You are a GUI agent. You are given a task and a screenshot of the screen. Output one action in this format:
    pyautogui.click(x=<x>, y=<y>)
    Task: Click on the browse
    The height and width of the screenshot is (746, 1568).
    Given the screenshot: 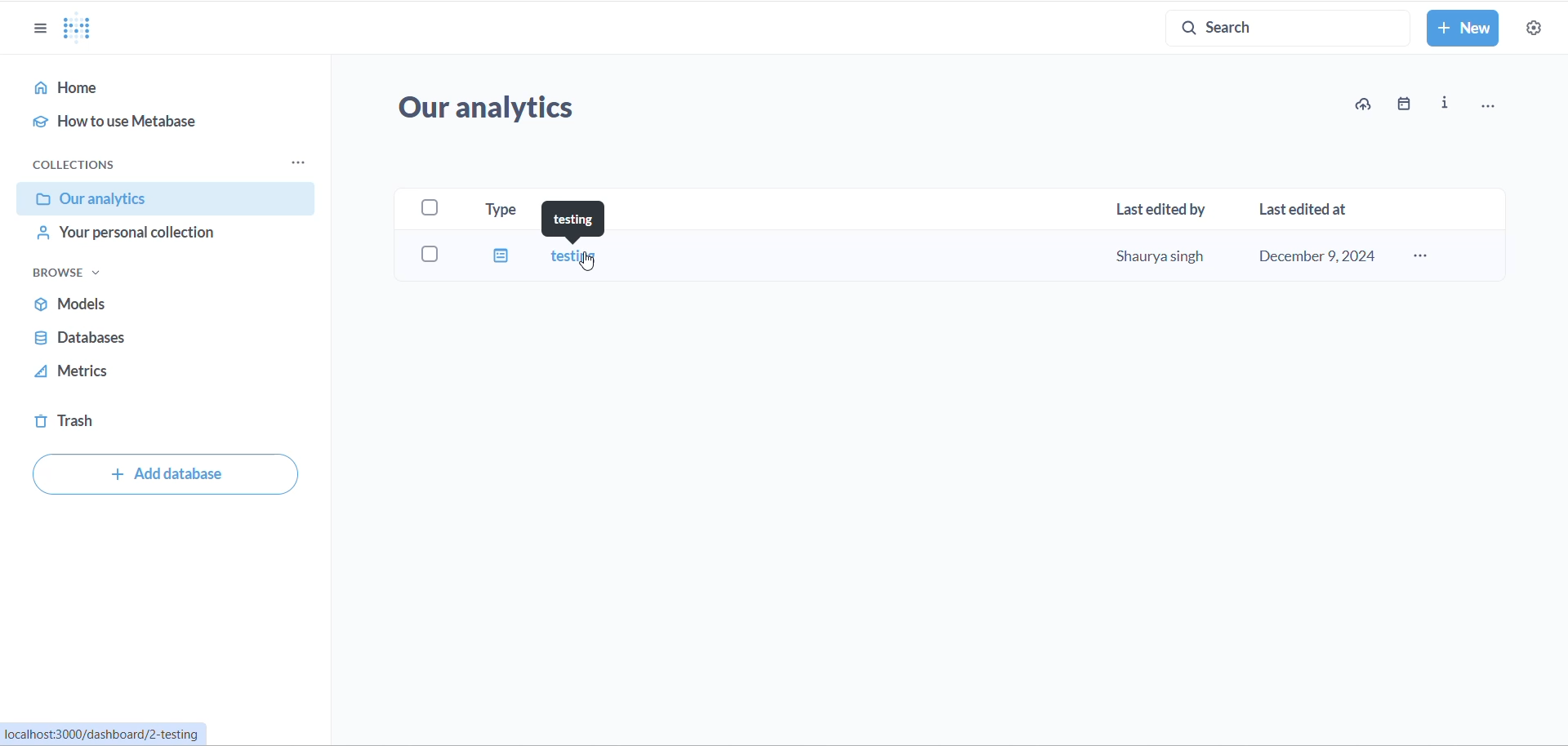 What is the action you would take?
    pyautogui.click(x=99, y=273)
    